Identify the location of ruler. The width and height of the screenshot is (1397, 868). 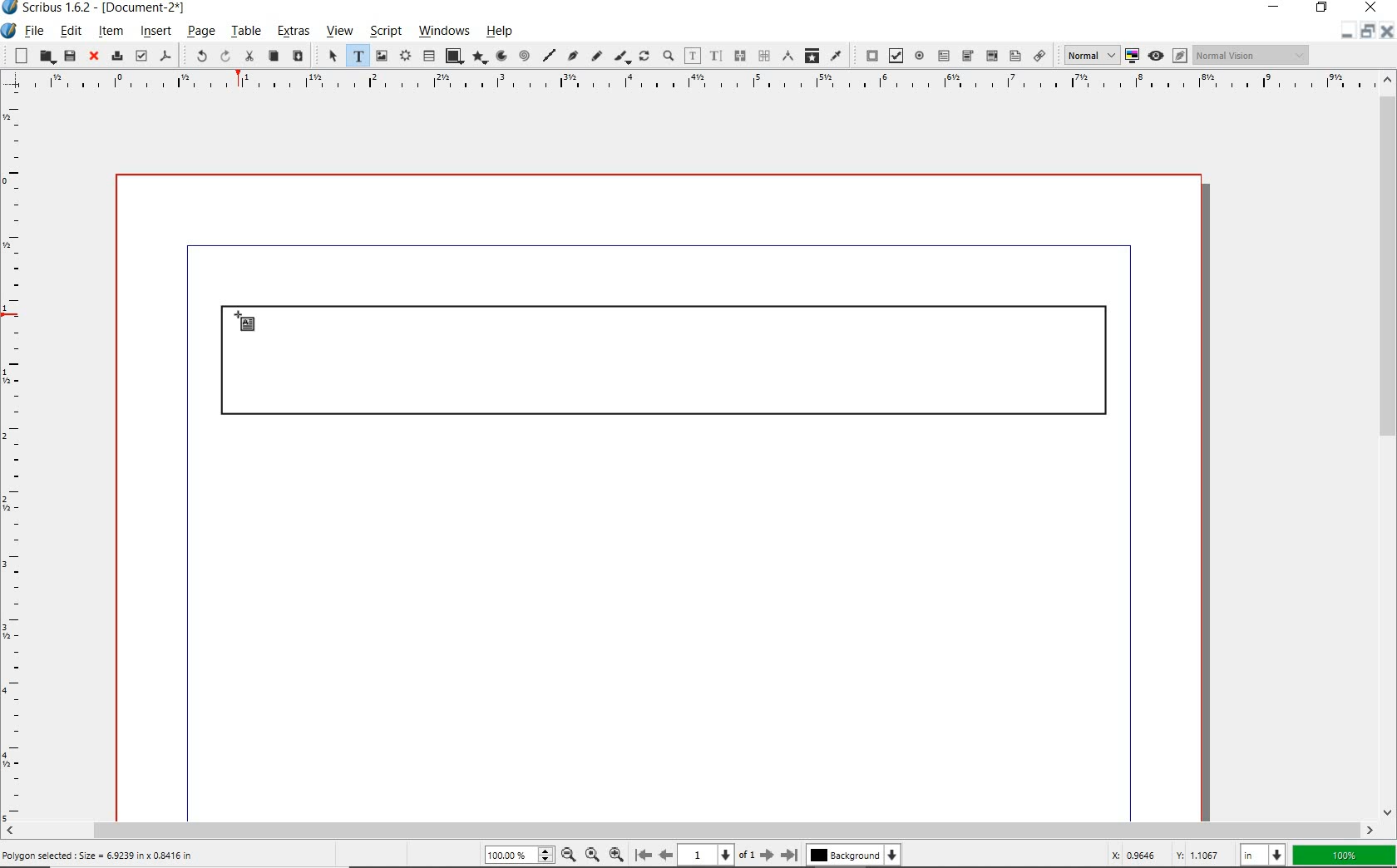
(16, 456).